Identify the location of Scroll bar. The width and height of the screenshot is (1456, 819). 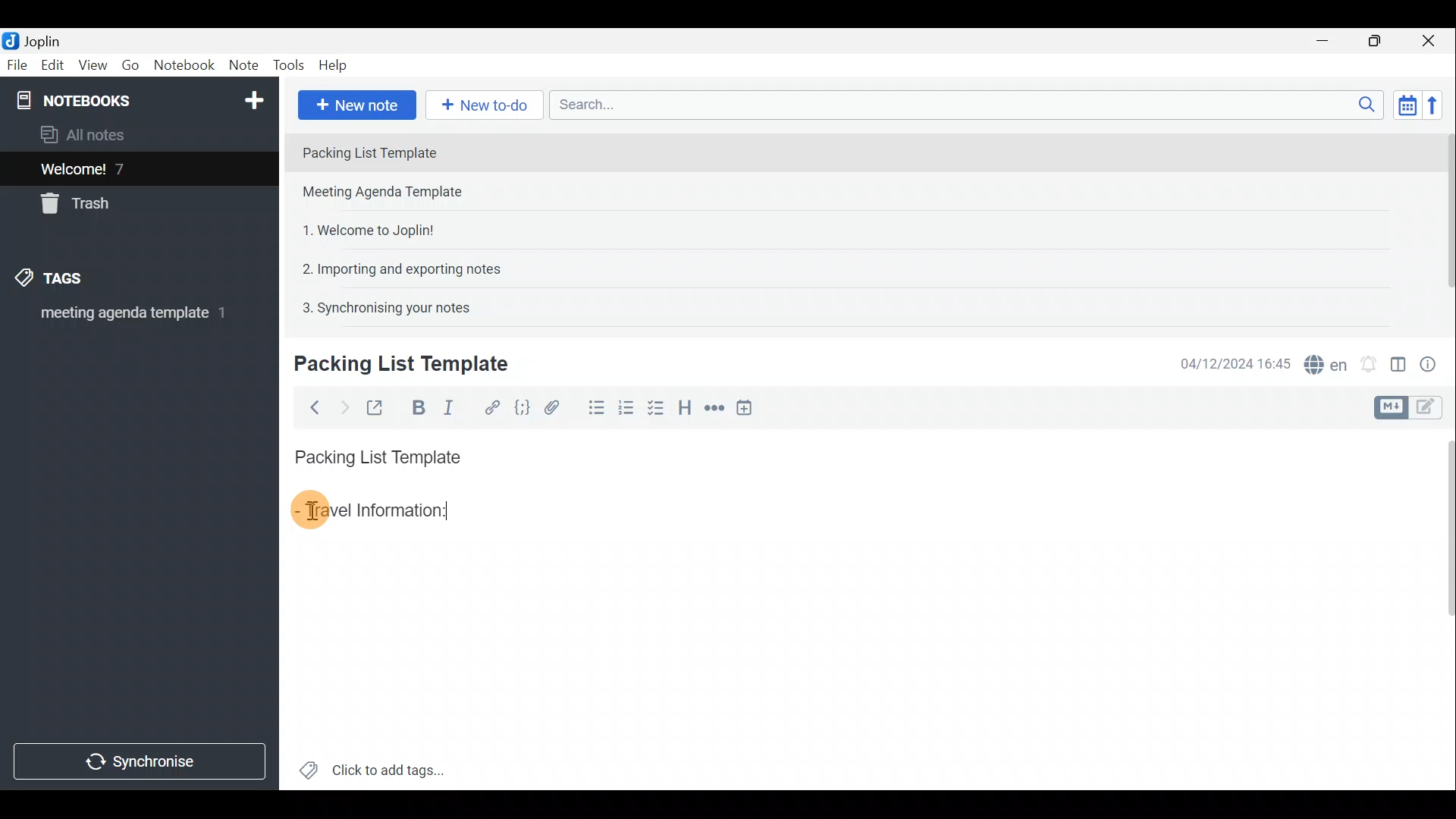
(1442, 607).